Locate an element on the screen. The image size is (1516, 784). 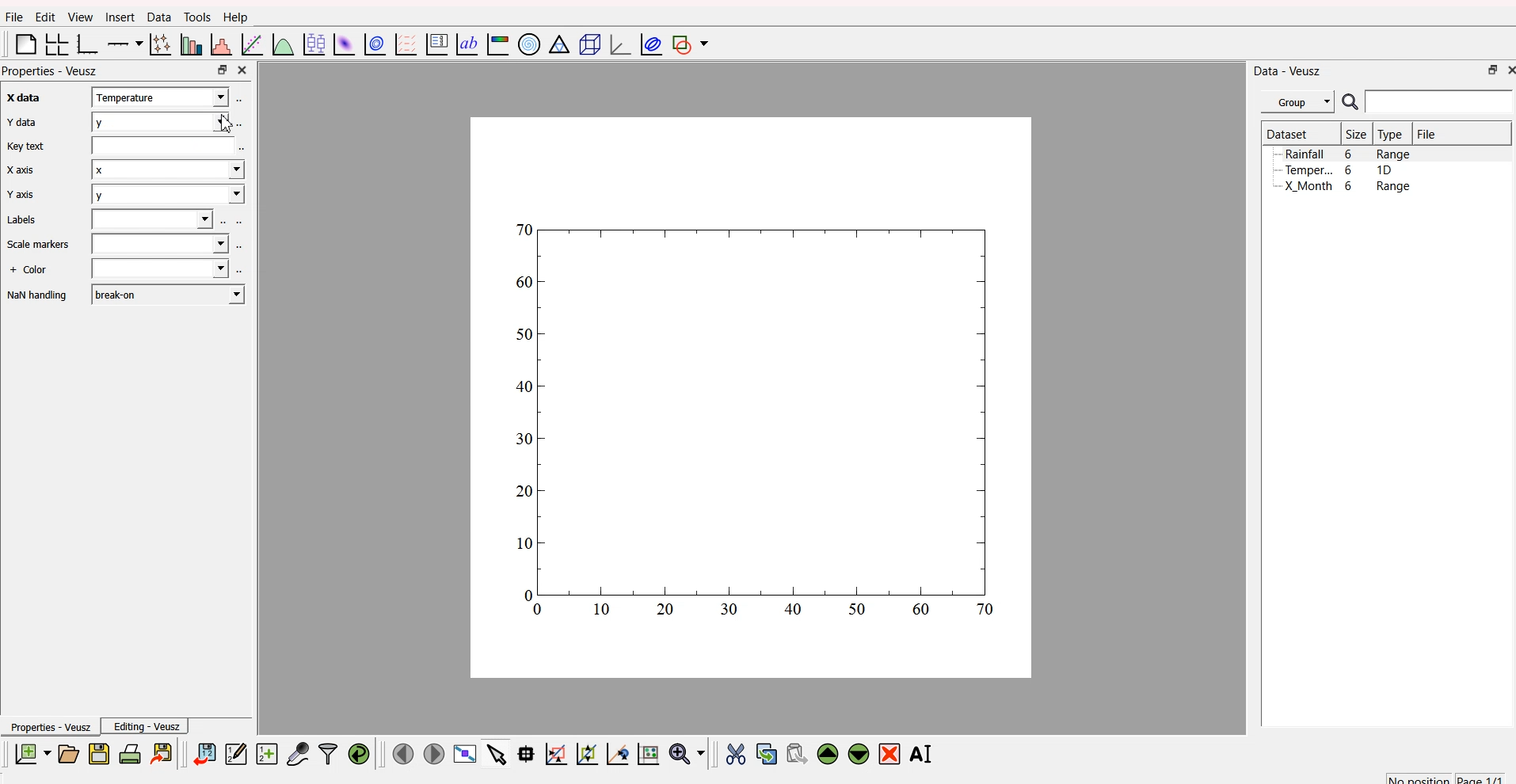
plot key is located at coordinates (436, 45).